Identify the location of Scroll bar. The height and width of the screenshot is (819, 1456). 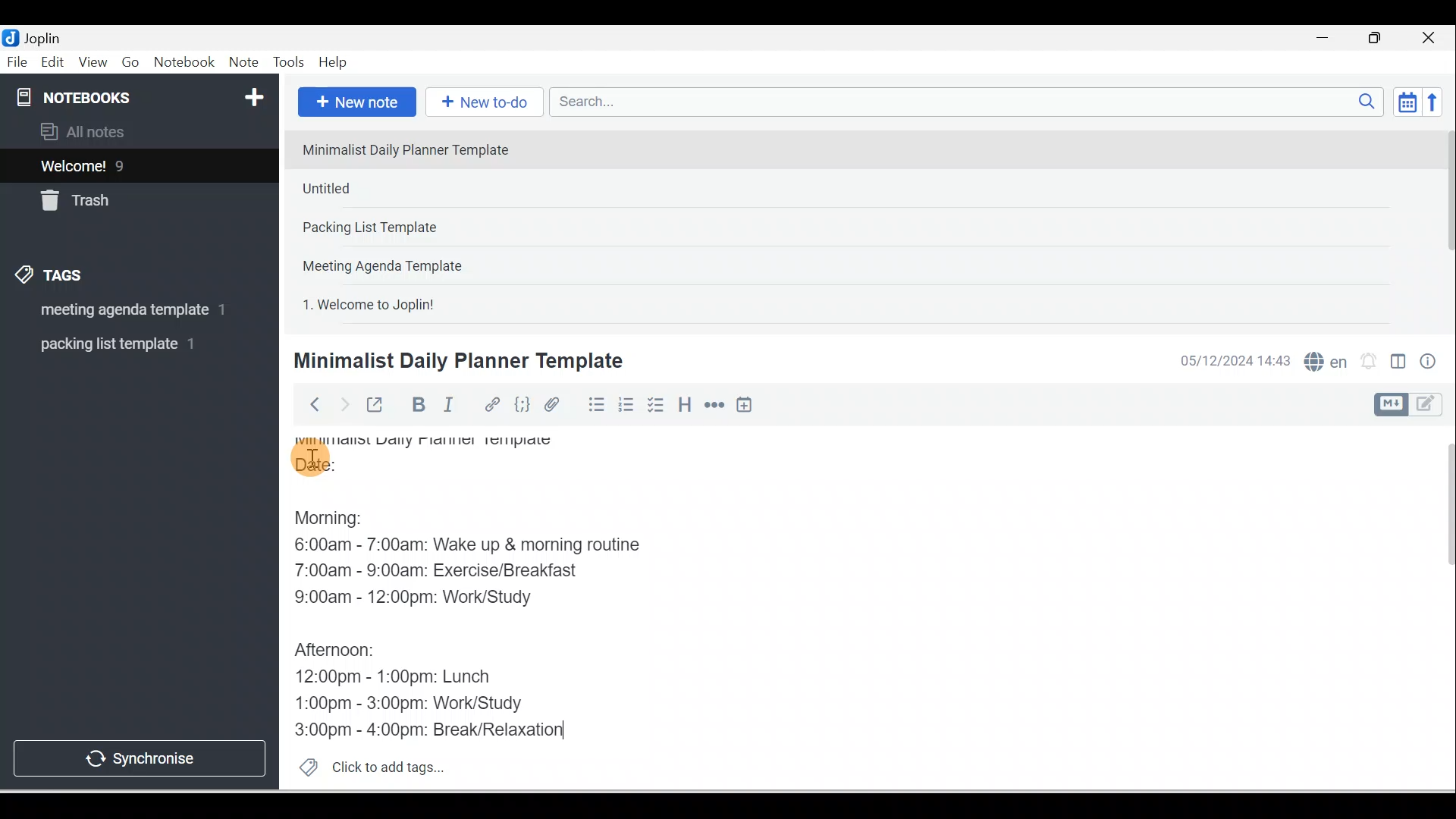
(1439, 608).